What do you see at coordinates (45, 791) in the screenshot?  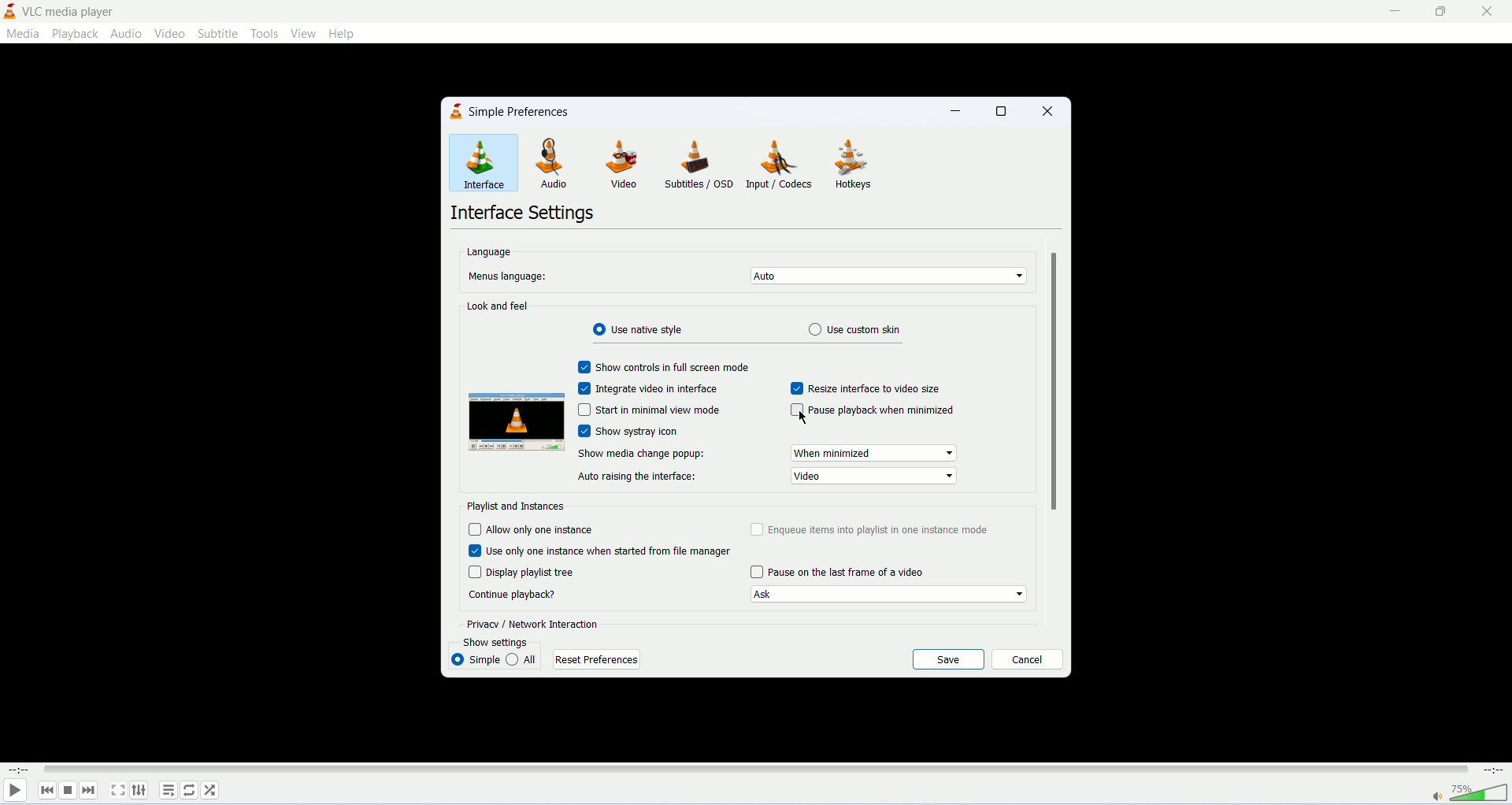 I see `previous` at bounding box center [45, 791].